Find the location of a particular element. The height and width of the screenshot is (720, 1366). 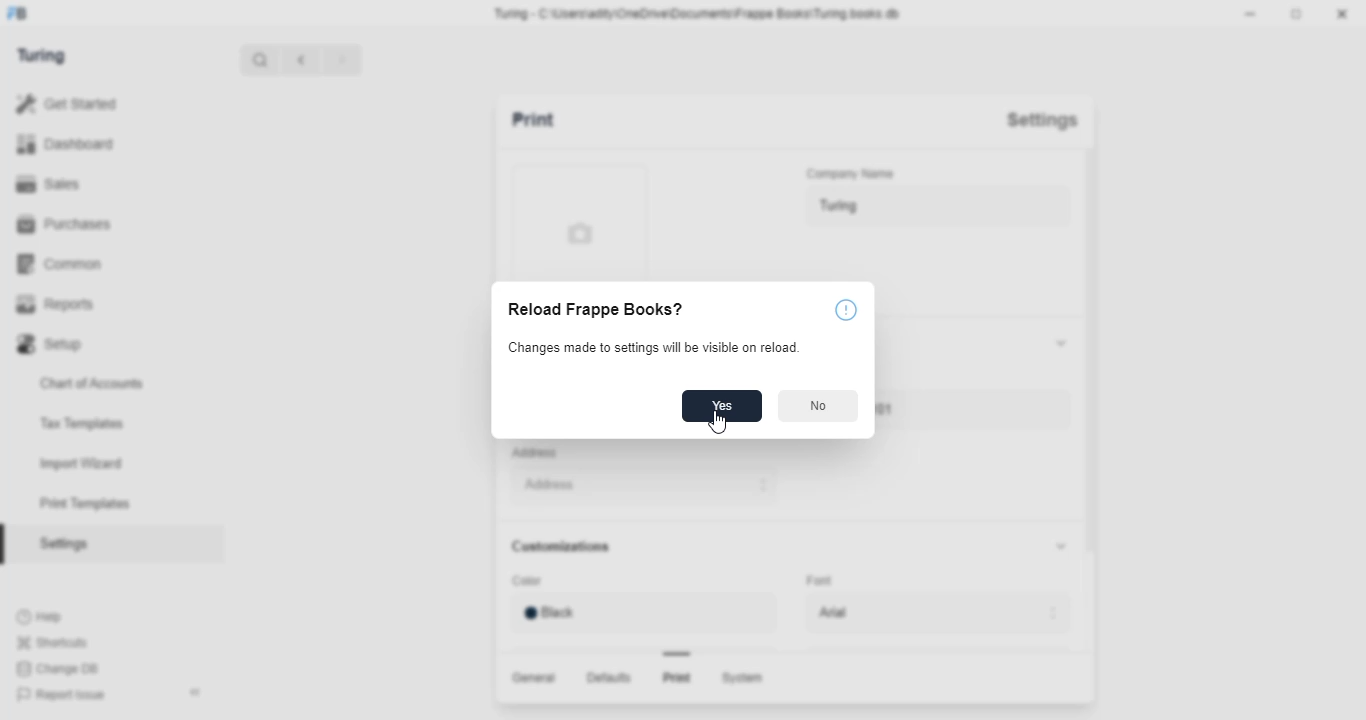

Settings is located at coordinates (1041, 120).